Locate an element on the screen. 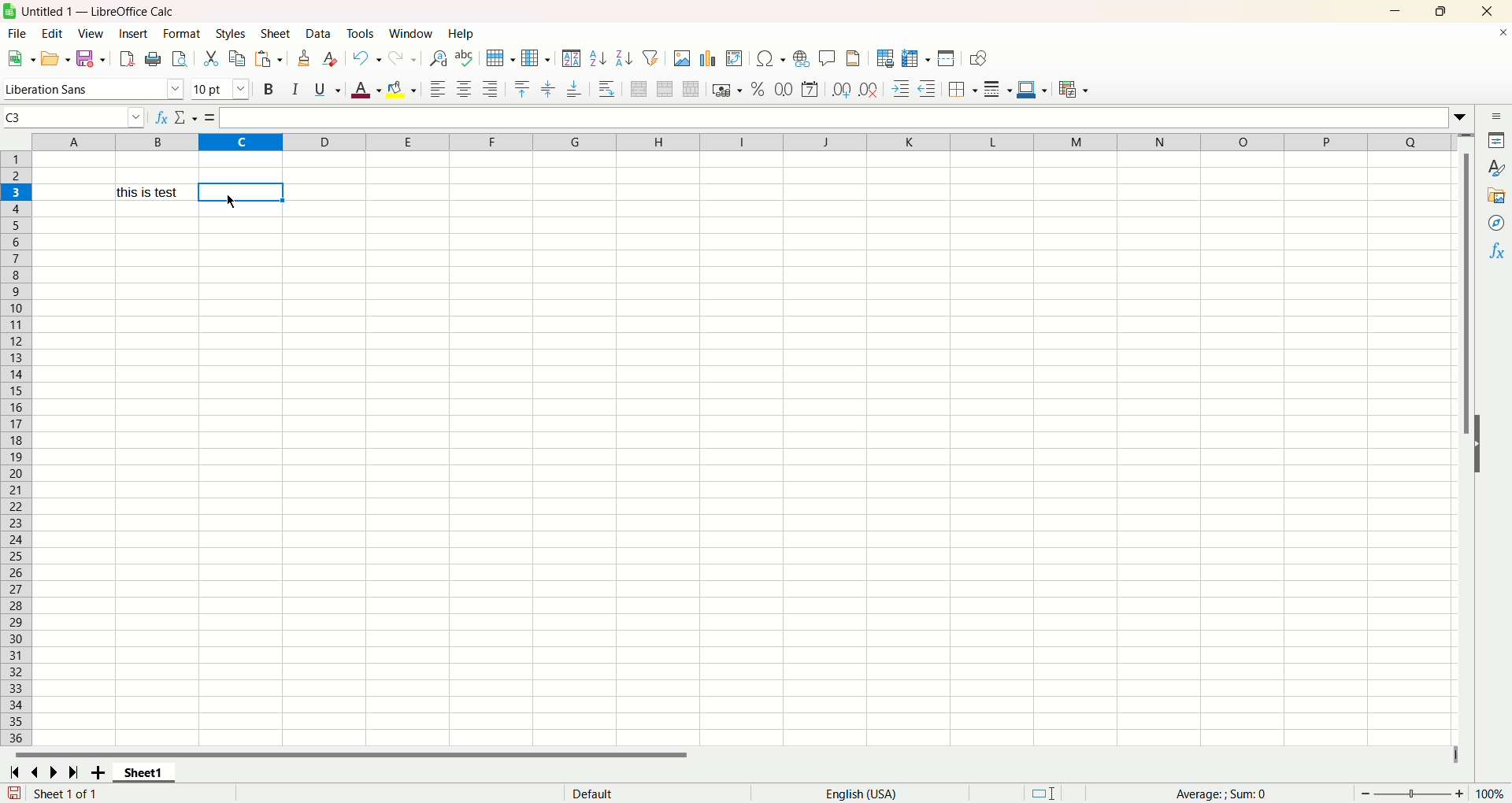 The height and width of the screenshot is (803, 1512). data is located at coordinates (320, 33).